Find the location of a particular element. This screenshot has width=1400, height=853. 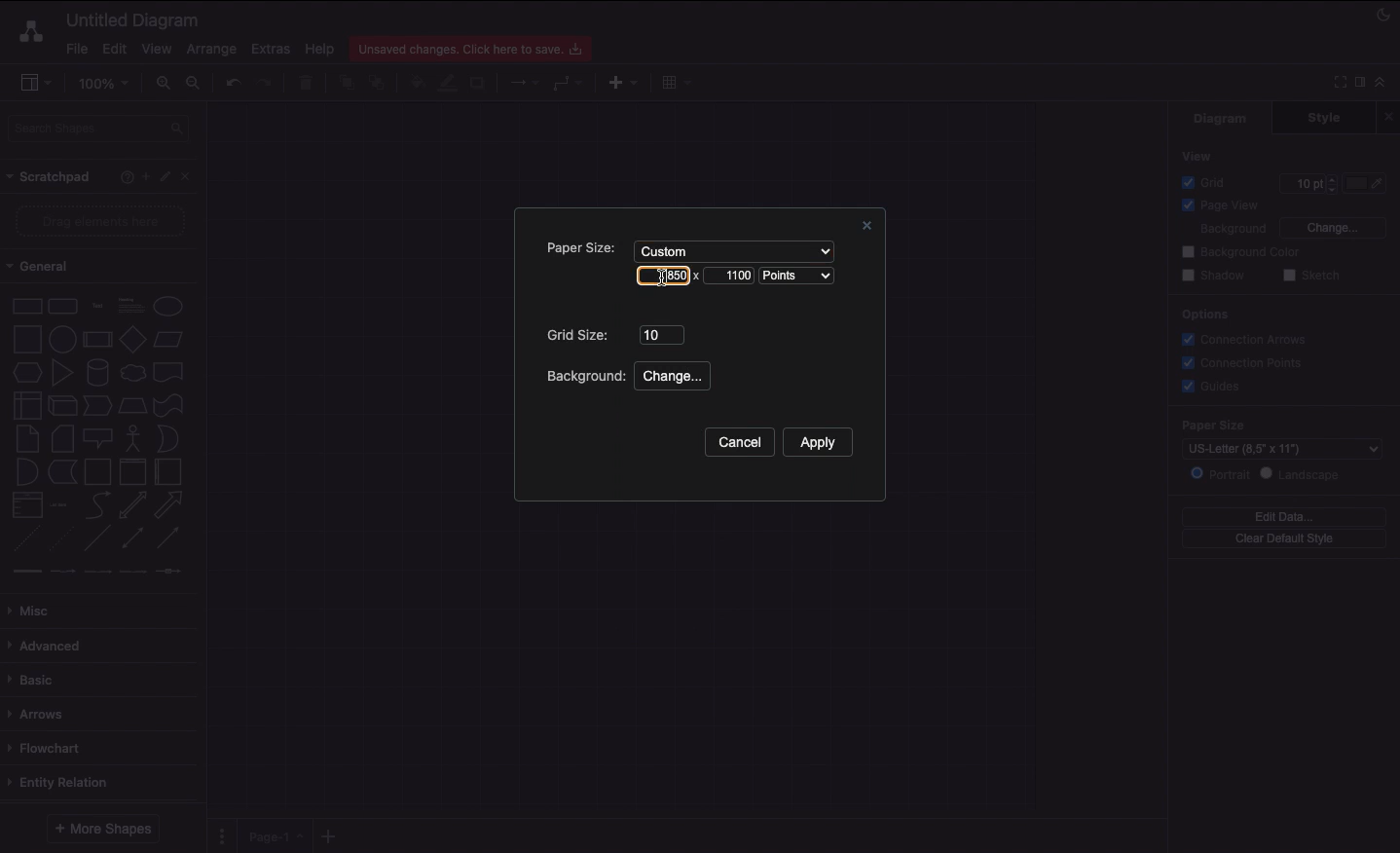

Waypoints is located at coordinates (569, 85).